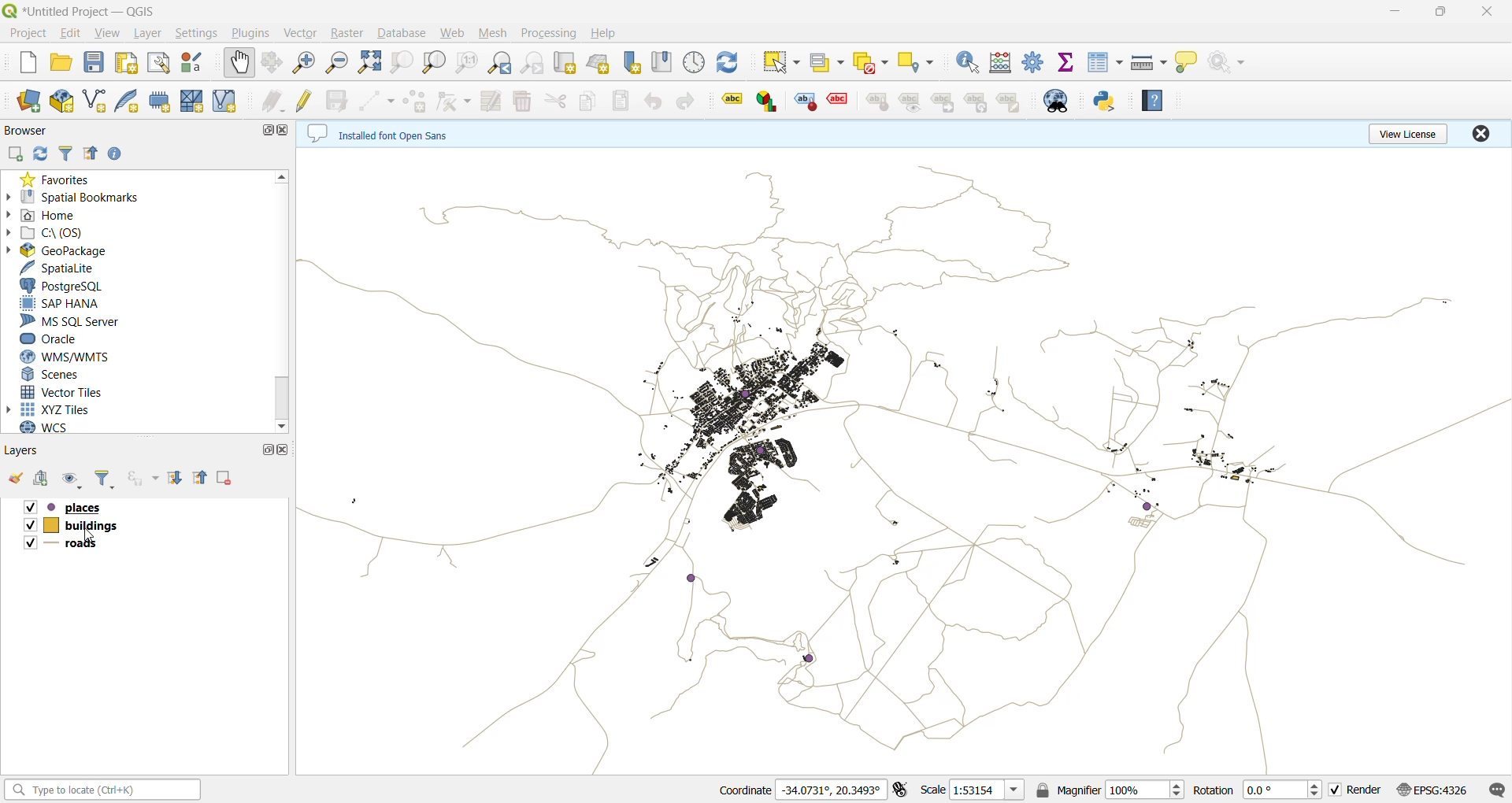  Describe the element at coordinates (118, 154) in the screenshot. I see `enable/disable properties` at that location.